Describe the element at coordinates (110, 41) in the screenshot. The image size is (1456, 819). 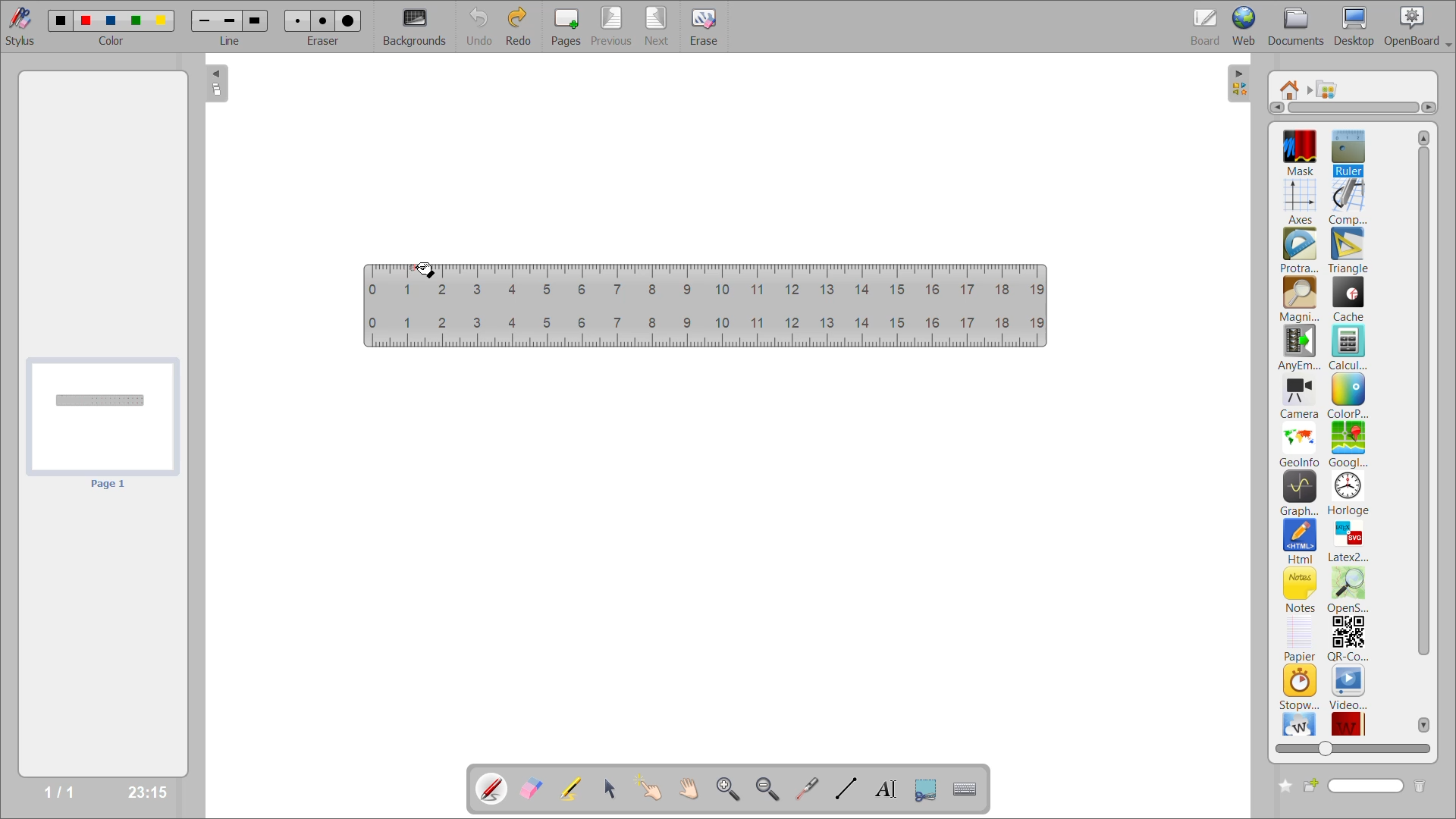
I see `color` at that location.